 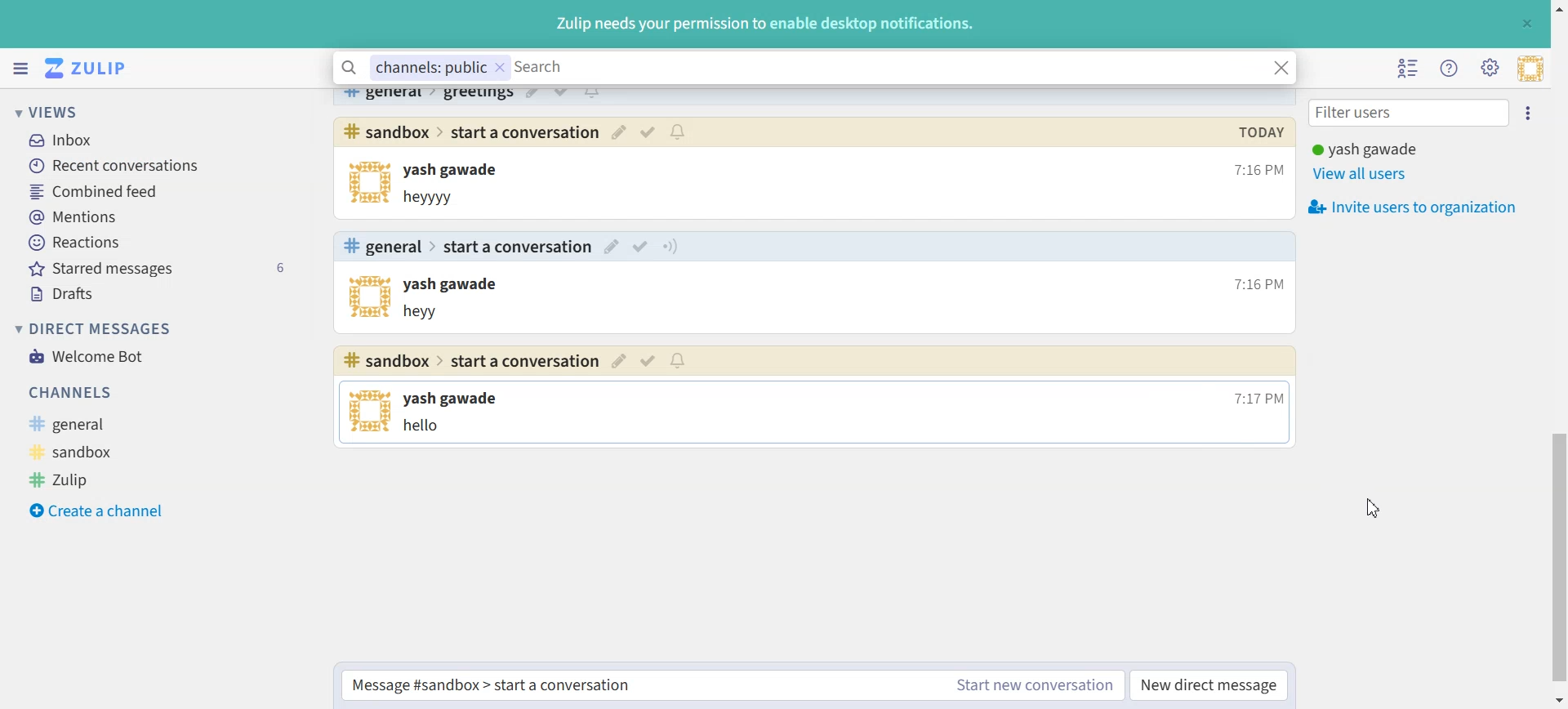 What do you see at coordinates (886, 69) in the screenshot?
I see `Search` at bounding box center [886, 69].